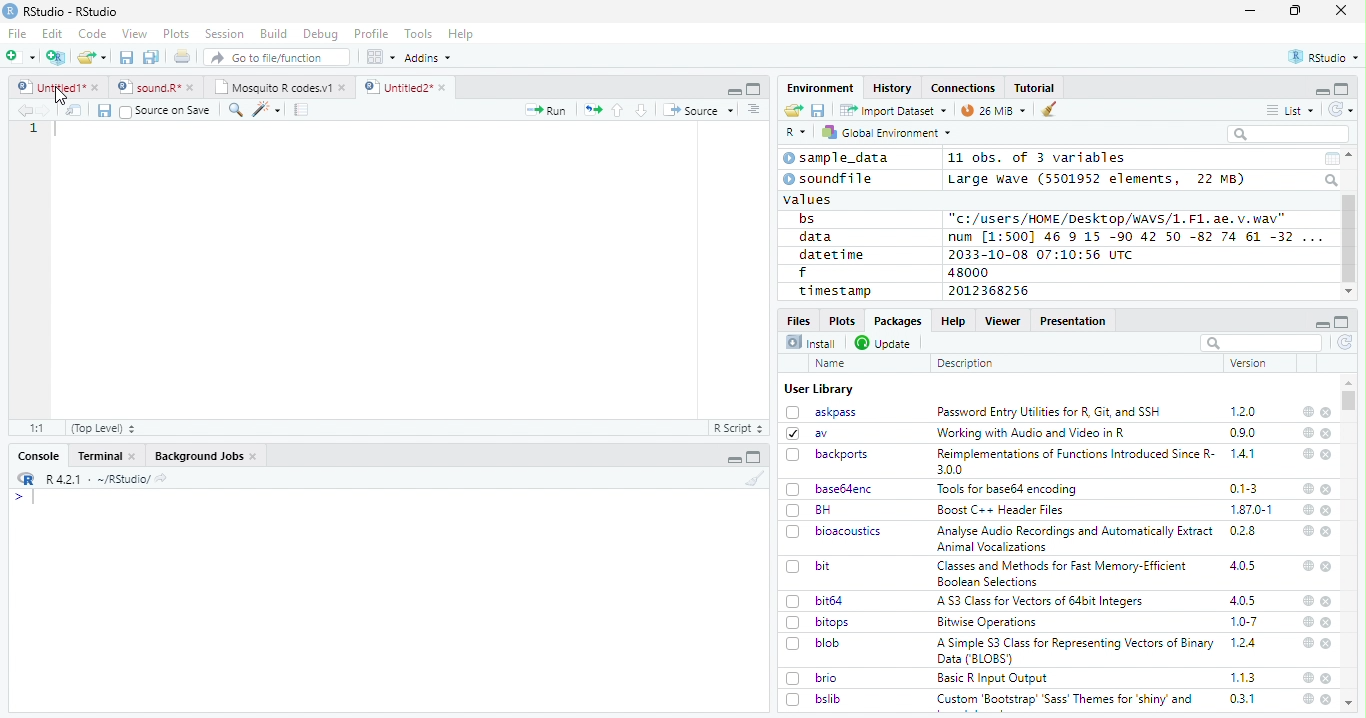  What do you see at coordinates (1326, 413) in the screenshot?
I see `close` at bounding box center [1326, 413].